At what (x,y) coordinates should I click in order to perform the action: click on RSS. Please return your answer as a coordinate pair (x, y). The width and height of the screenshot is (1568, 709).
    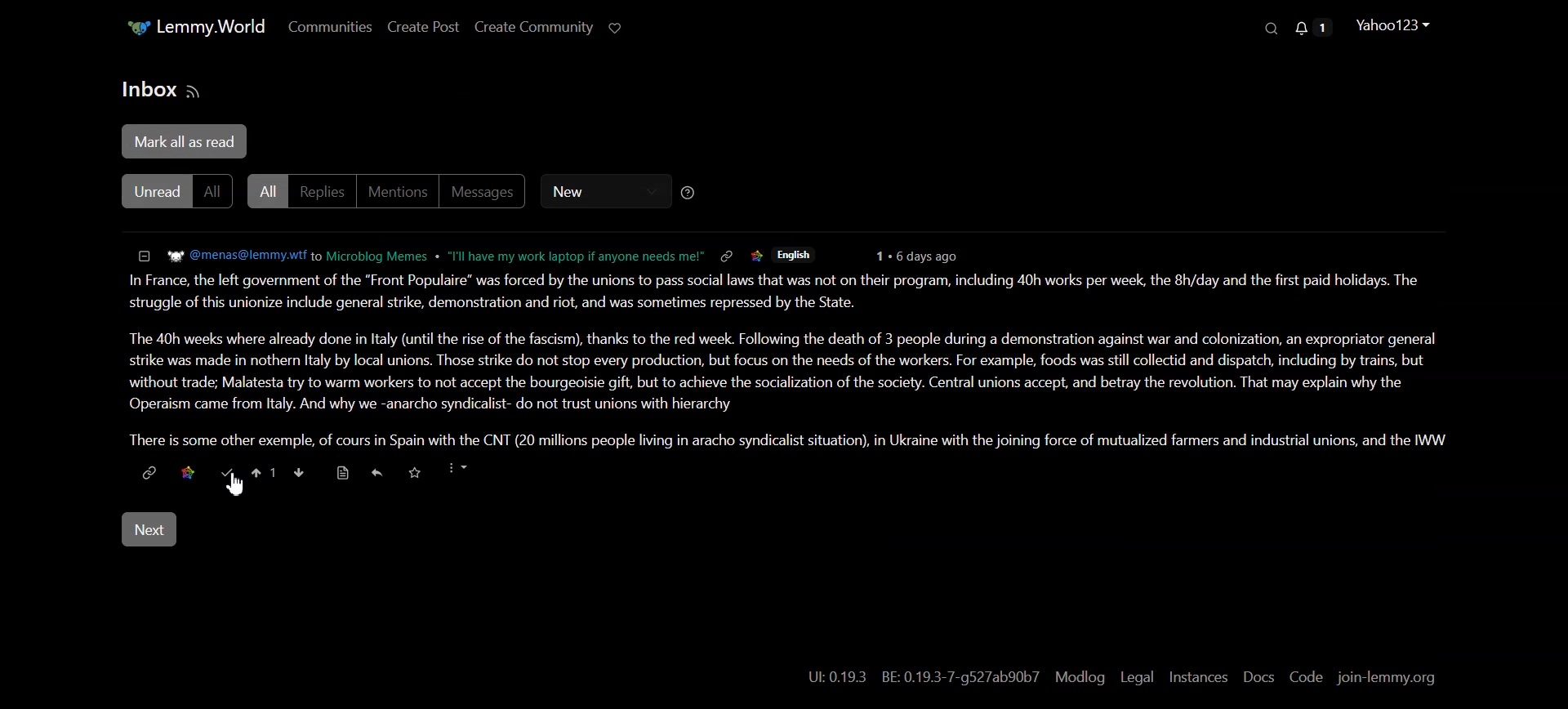
    Looking at the image, I should click on (194, 93).